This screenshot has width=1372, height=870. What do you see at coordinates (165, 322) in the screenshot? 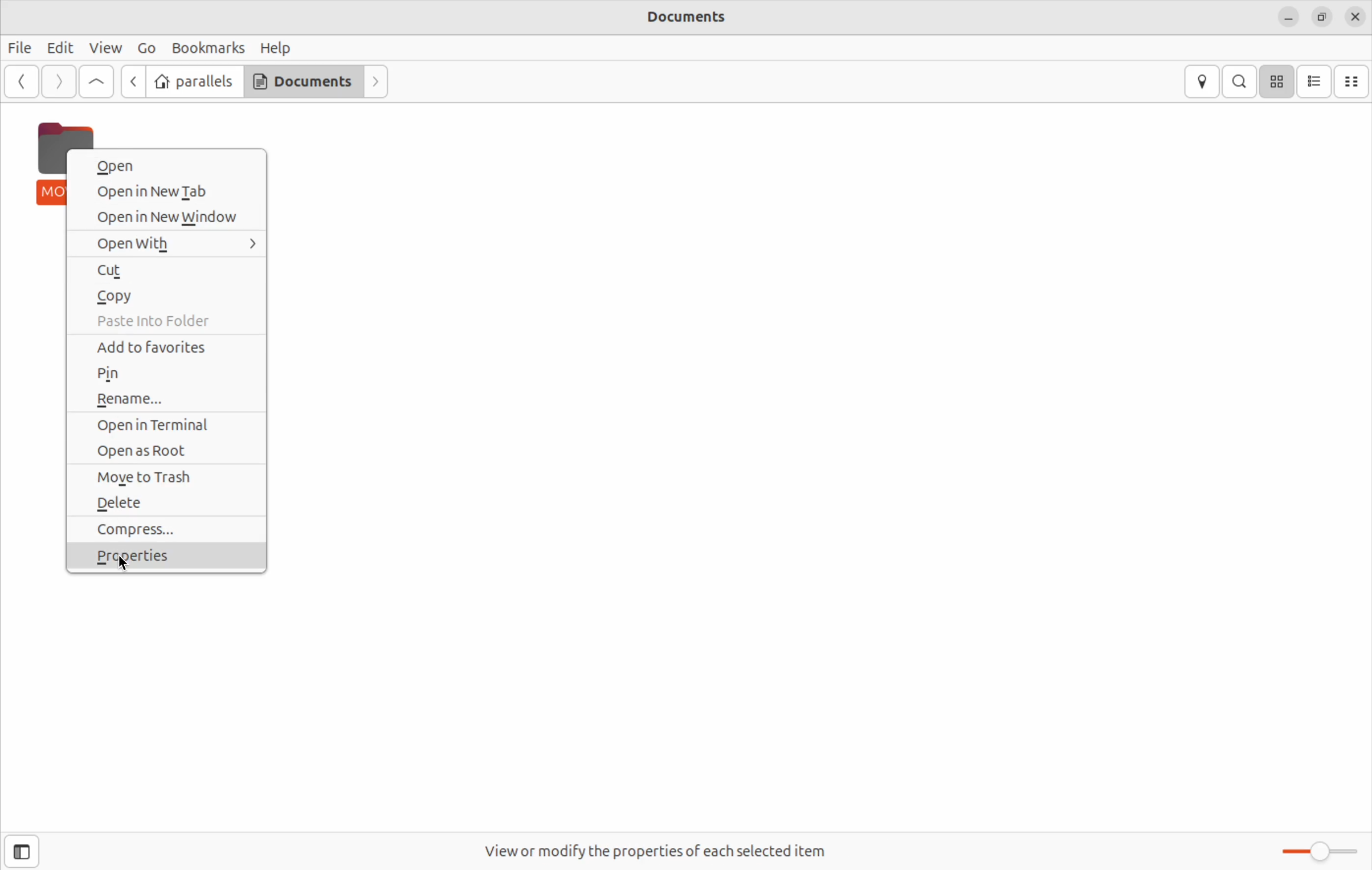
I see `paste into  a folder` at bounding box center [165, 322].